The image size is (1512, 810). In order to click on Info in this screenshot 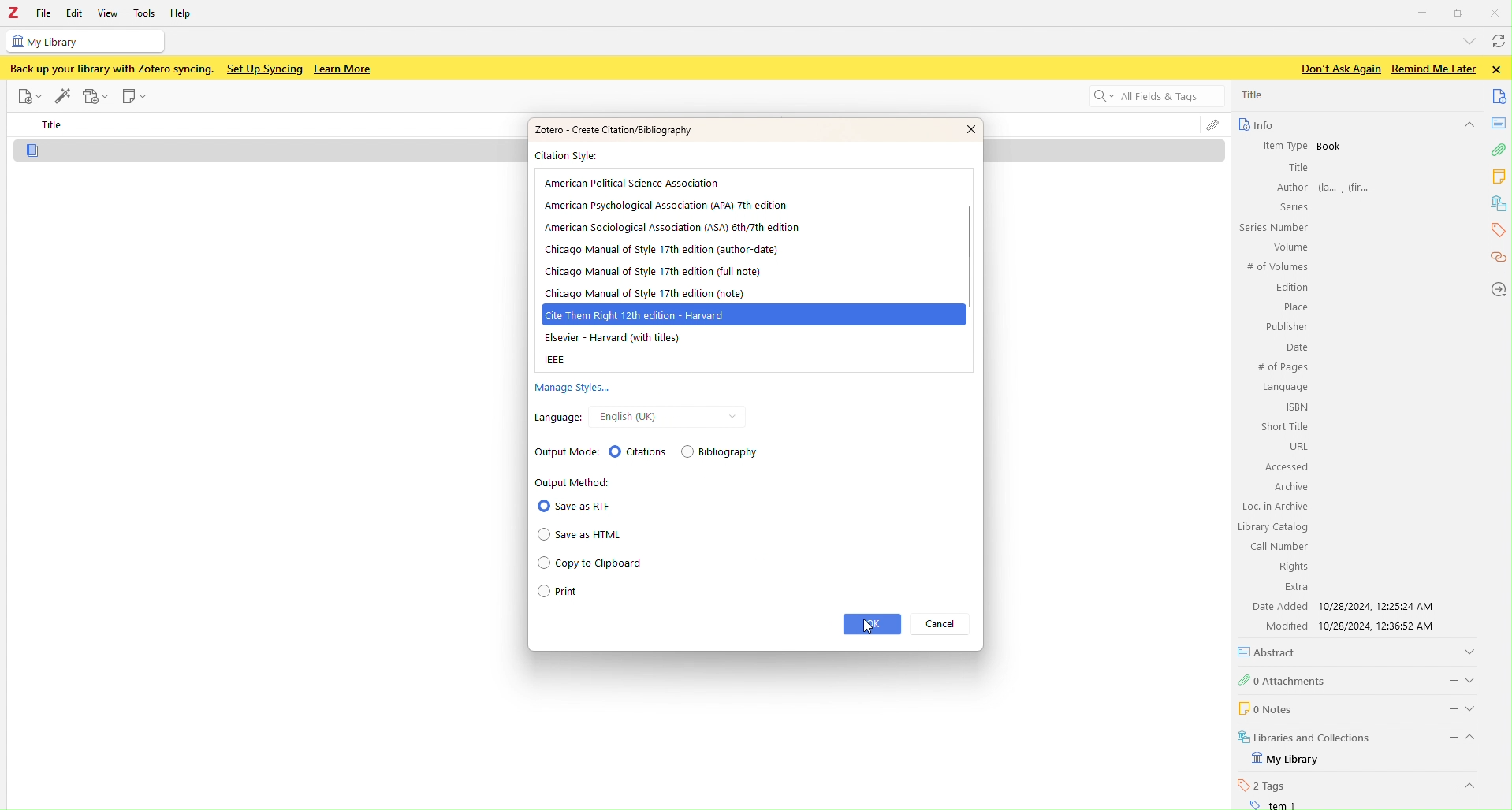, I will do `click(1255, 124)`.